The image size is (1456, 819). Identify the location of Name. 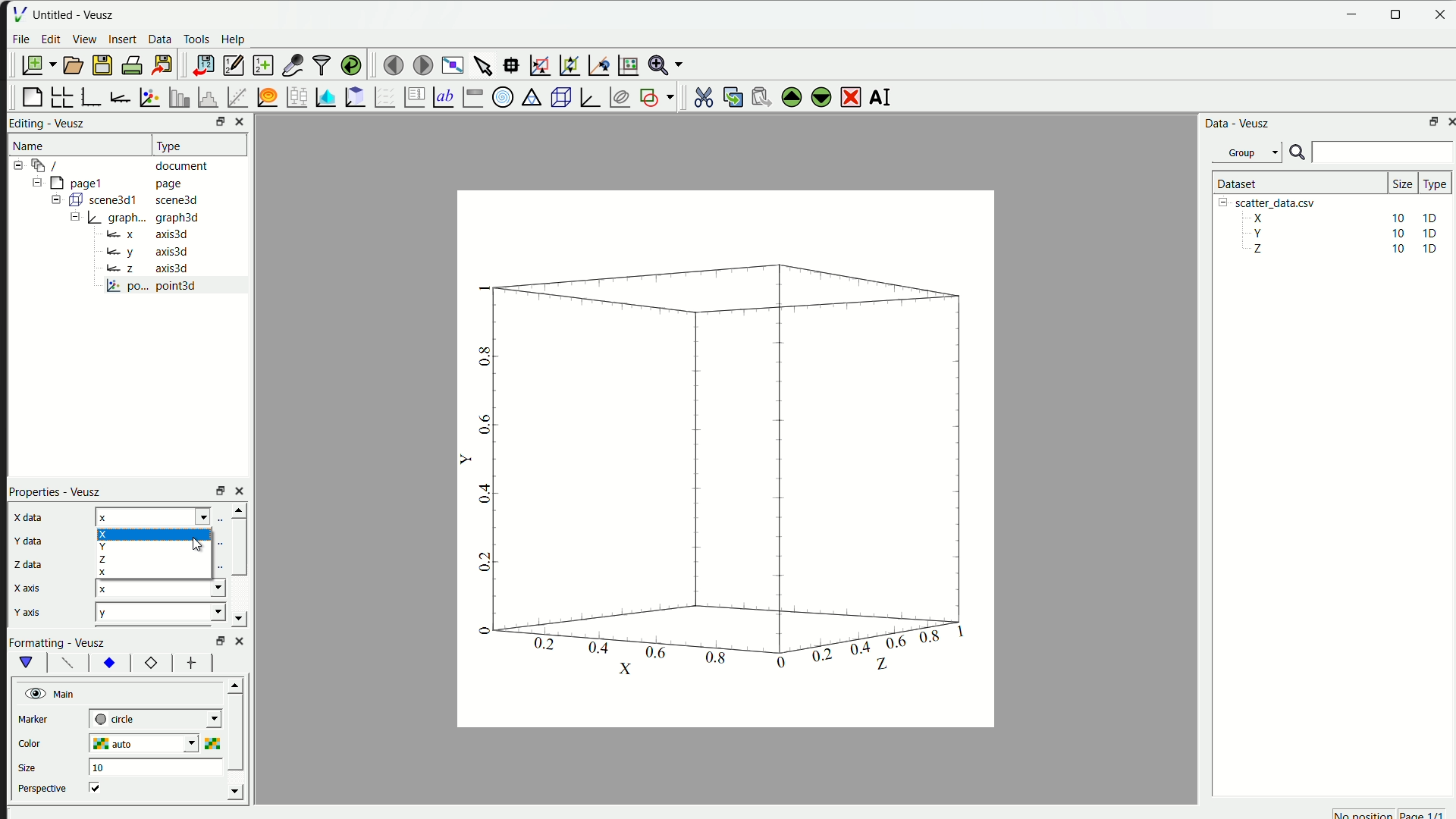
(30, 143).